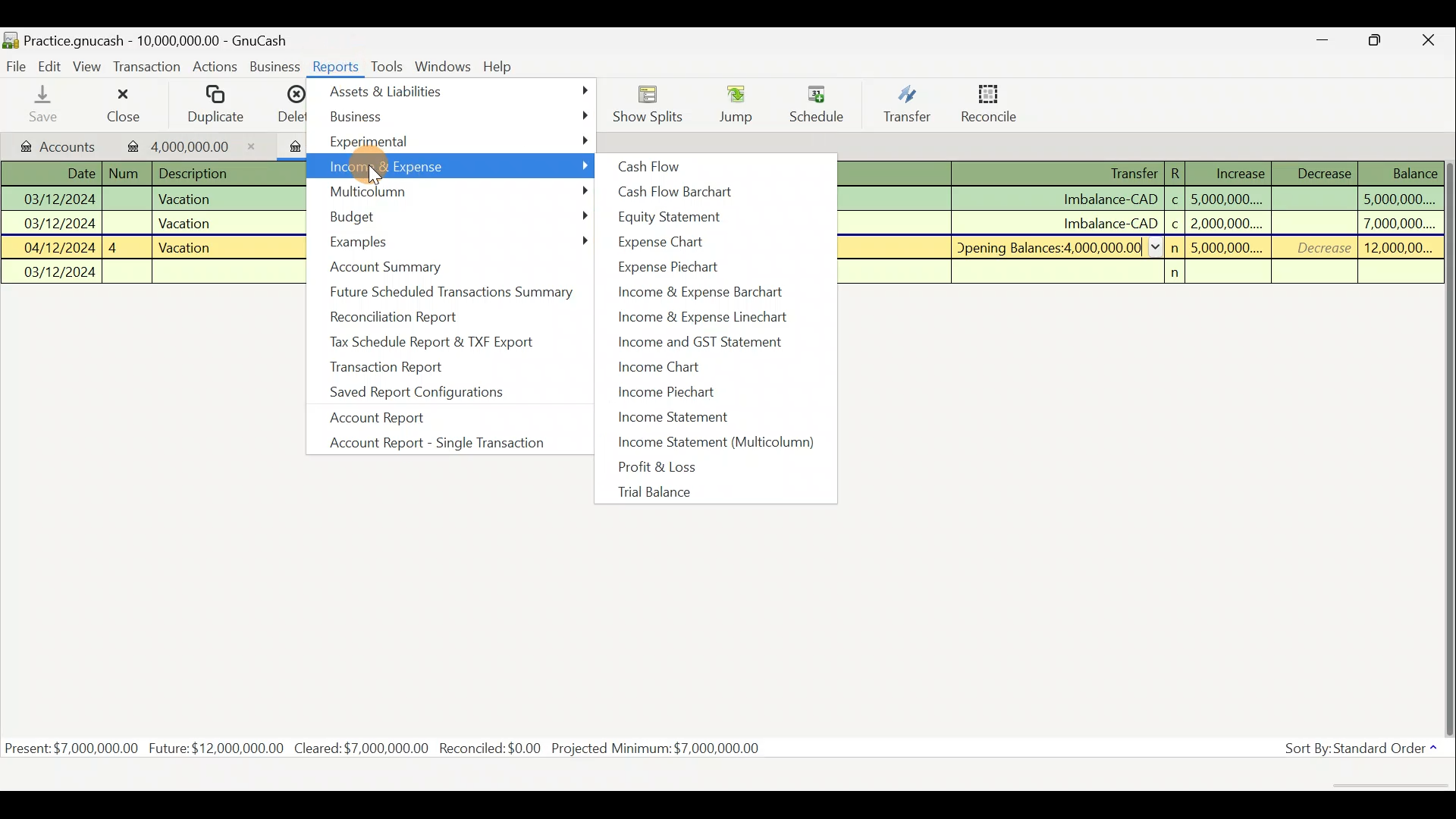 The image size is (1456, 819). What do you see at coordinates (1178, 248) in the screenshot?
I see `n` at bounding box center [1178, 248].